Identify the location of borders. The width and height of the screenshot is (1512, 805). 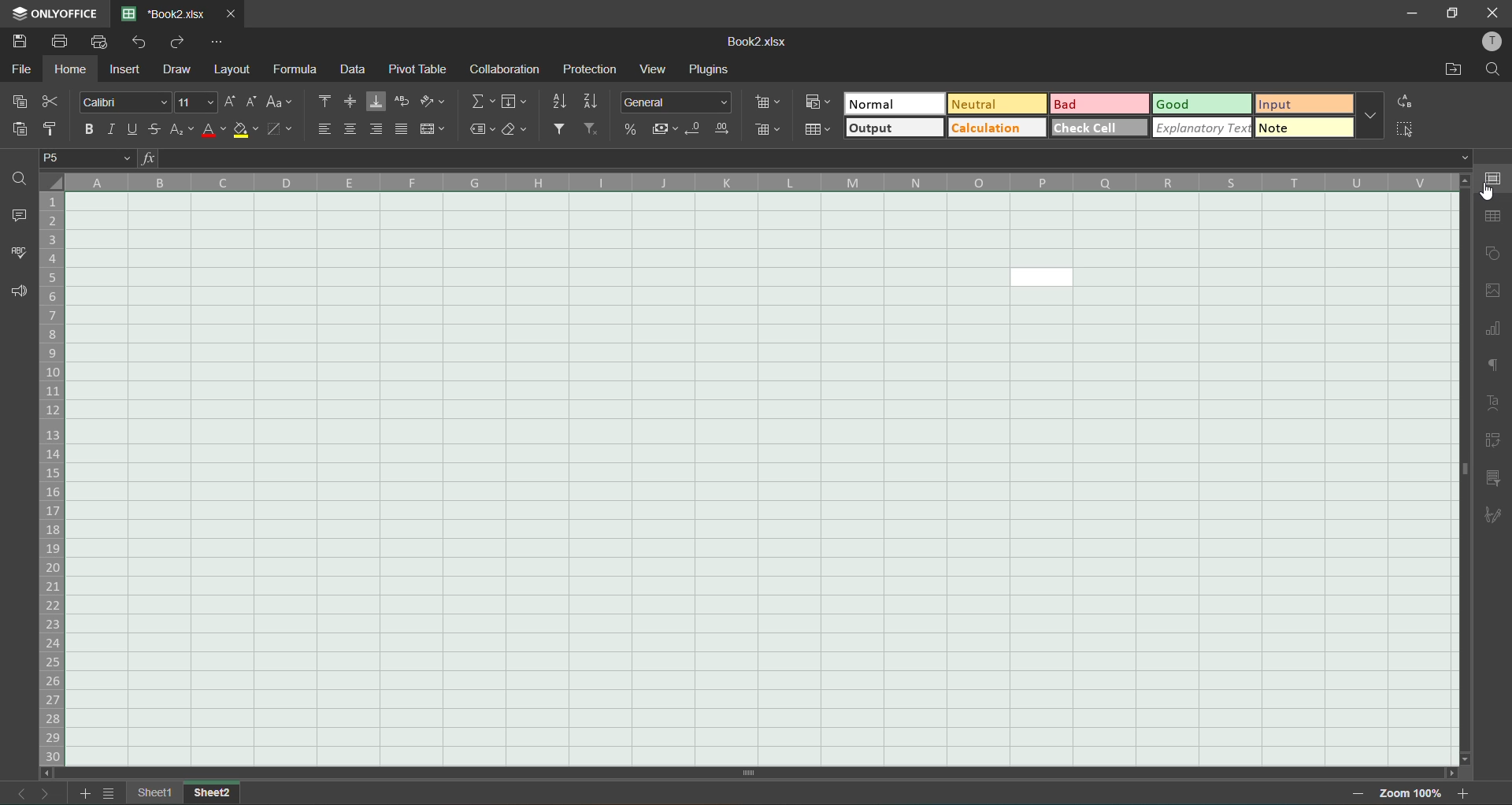
(284, 131).